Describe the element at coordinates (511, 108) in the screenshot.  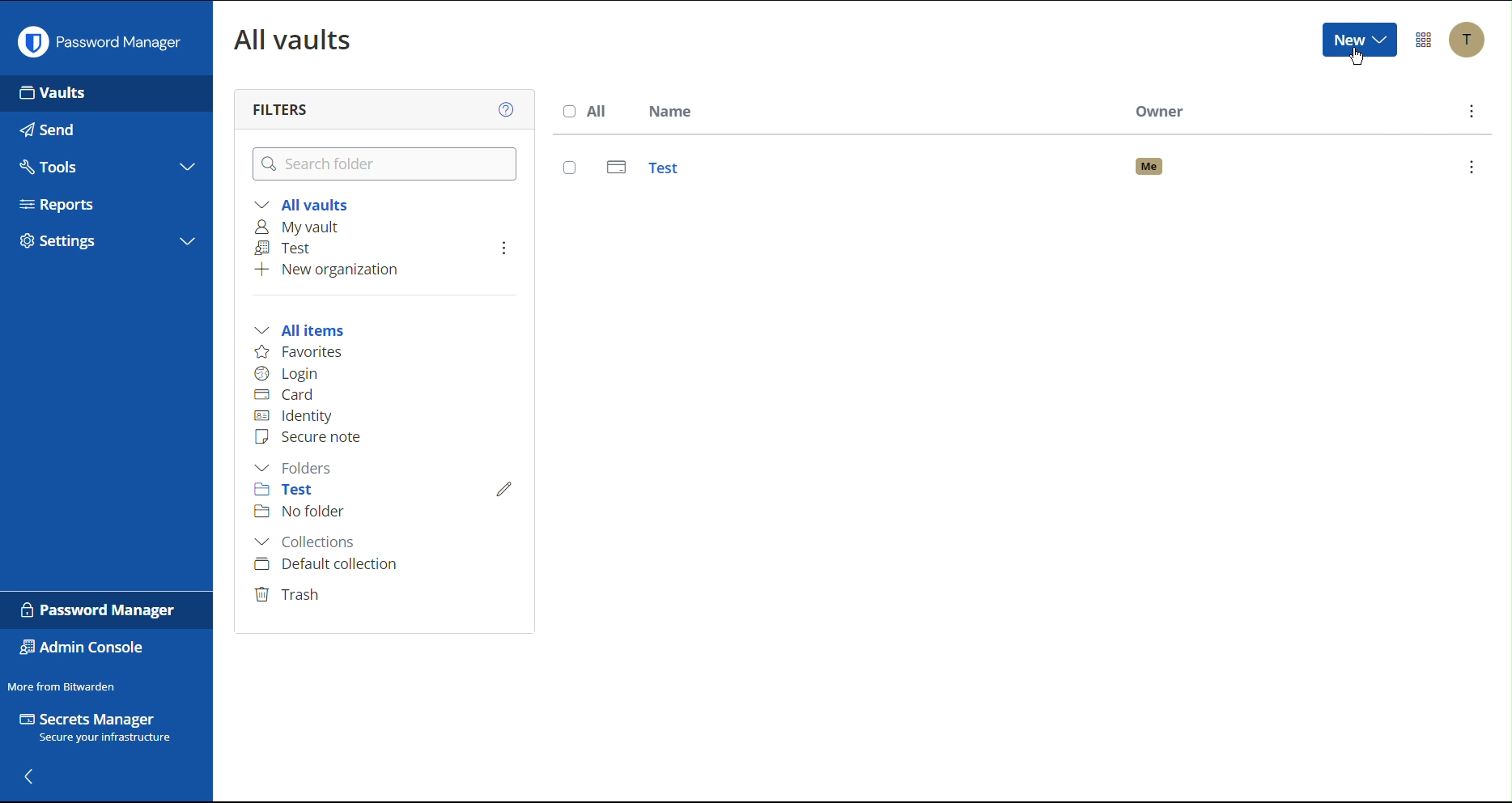
I see `Help` at that location.